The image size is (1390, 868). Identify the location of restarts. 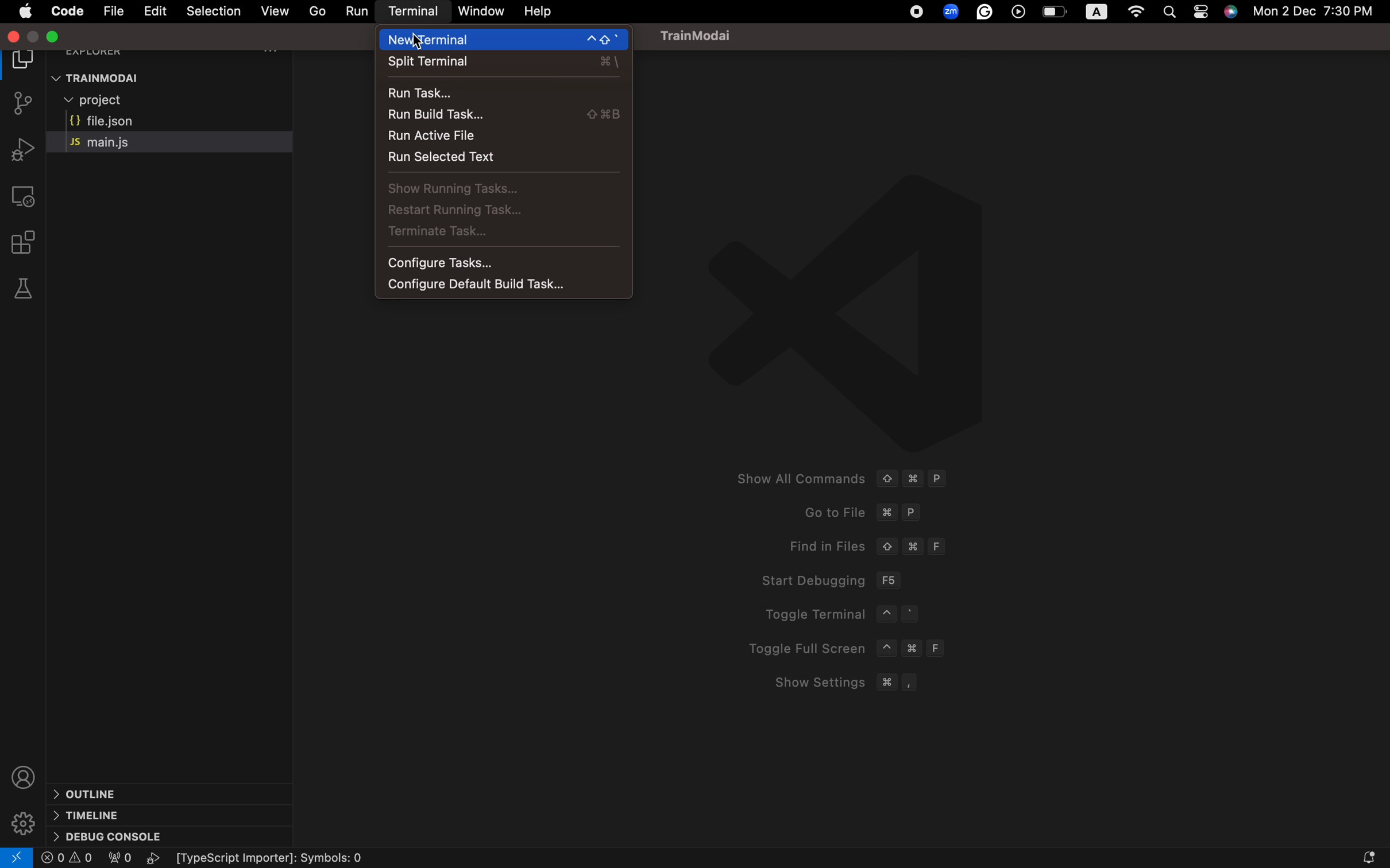
(492, 212).